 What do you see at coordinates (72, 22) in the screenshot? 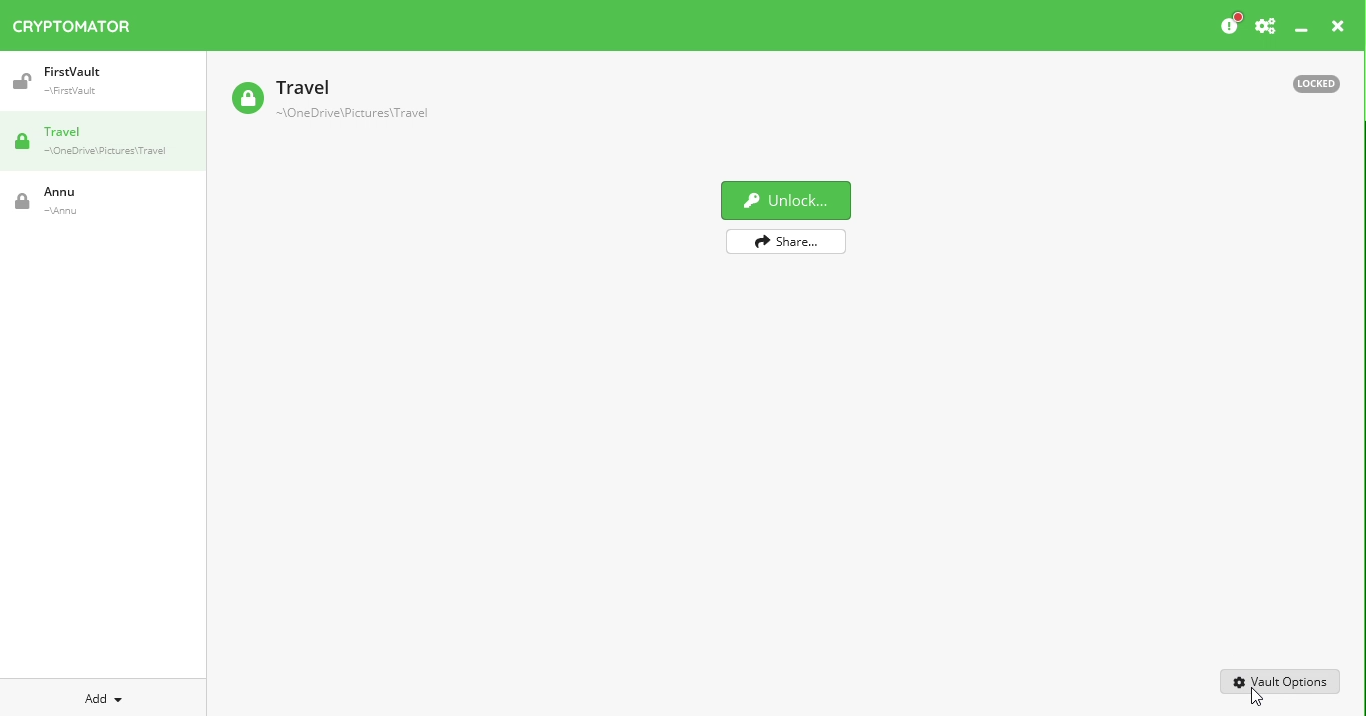
I see `Cryptomator` at bounding box center [72, 22].